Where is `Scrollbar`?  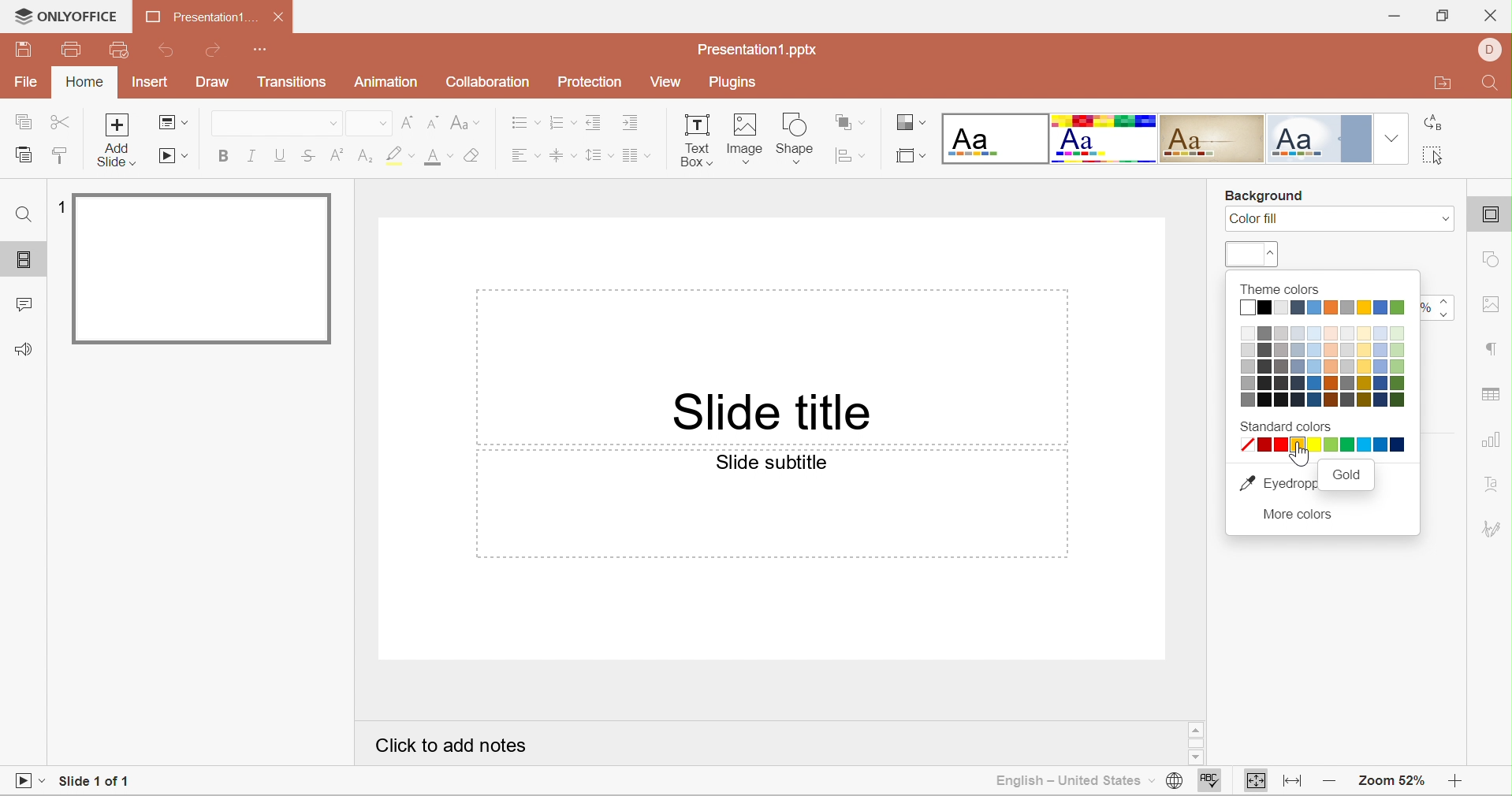
Scrollbar is located at coordinates (1194, 742).